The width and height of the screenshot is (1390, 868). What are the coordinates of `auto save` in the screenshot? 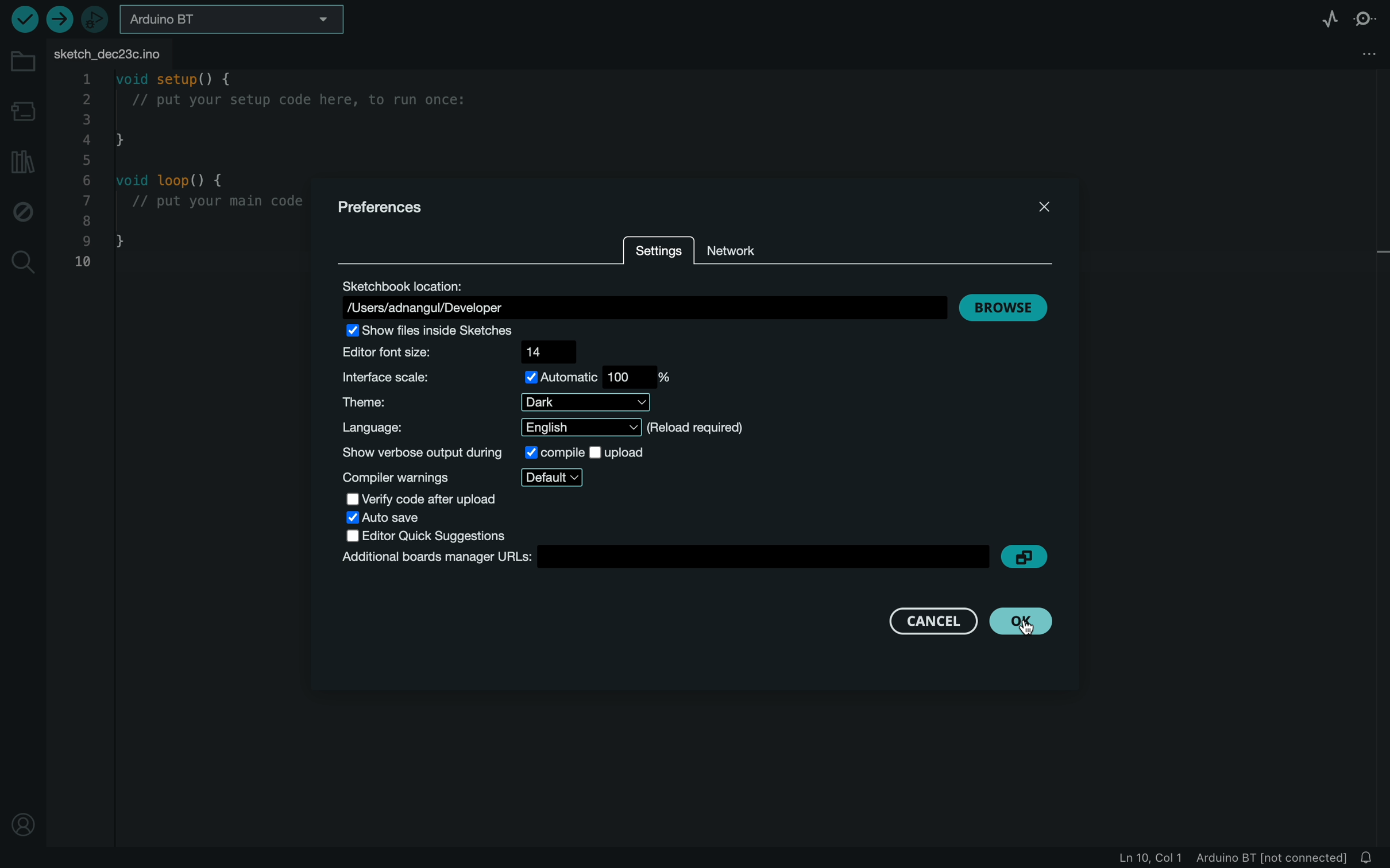 It's located at (397, 518).